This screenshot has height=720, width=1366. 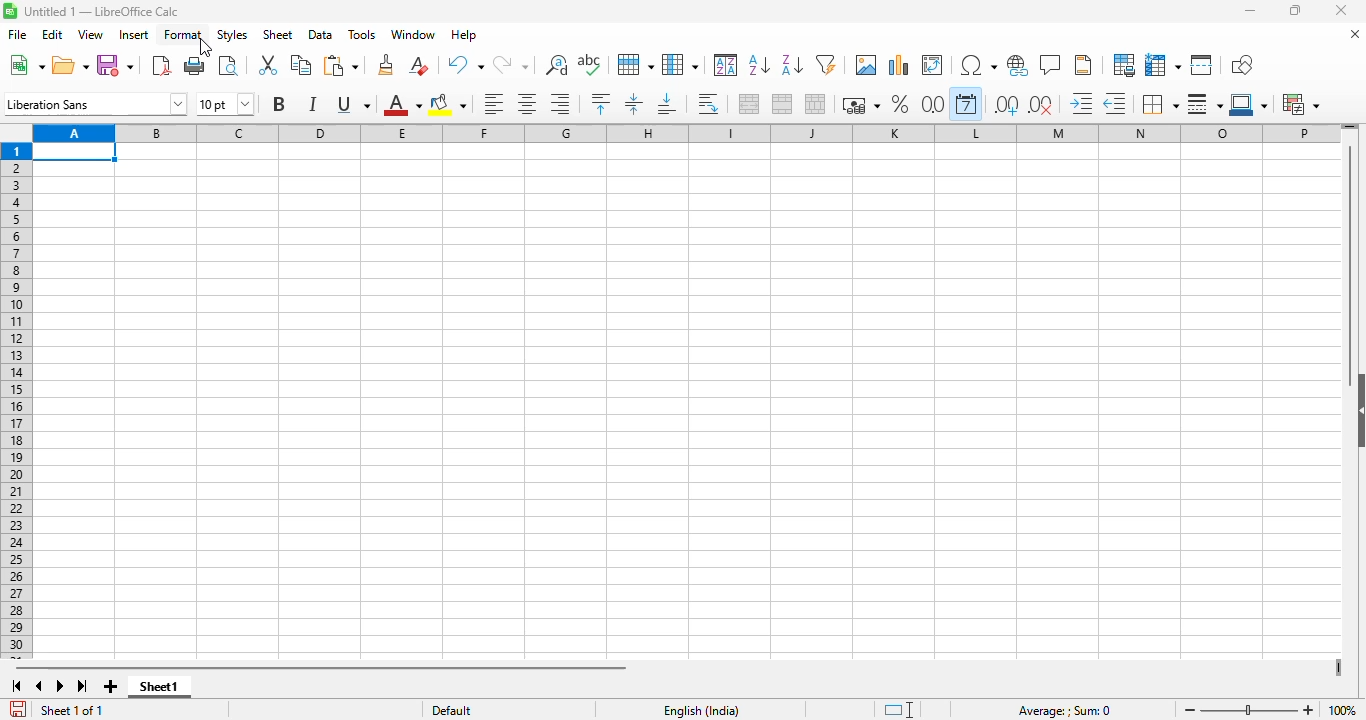 I want to click on add decimal, so click(x=1007, y=105).